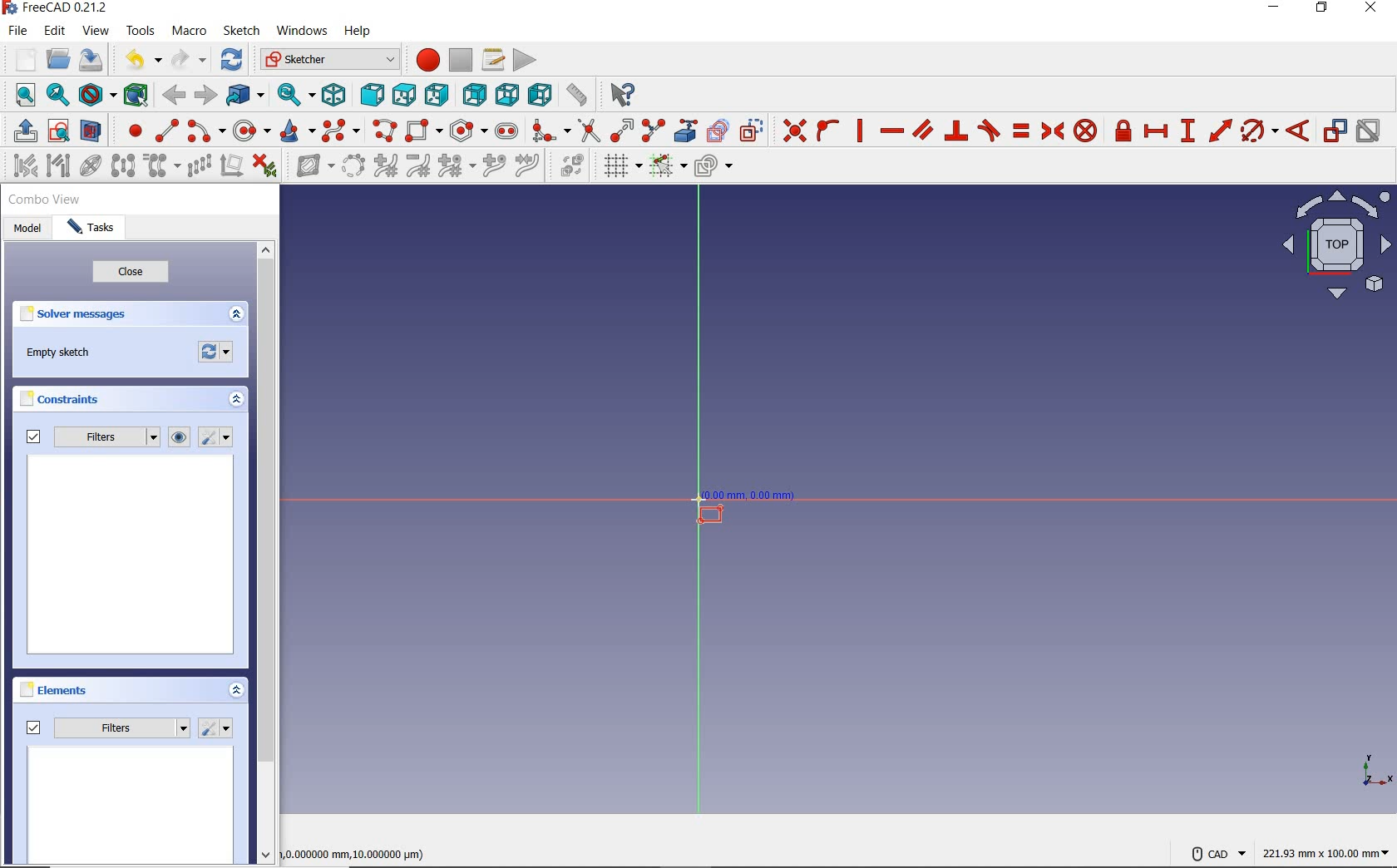 The width and height of the screenshot is (1397, 868). Describe the element at coordinates (425, 62) in the screenshot. I see `macro recording` at that location.